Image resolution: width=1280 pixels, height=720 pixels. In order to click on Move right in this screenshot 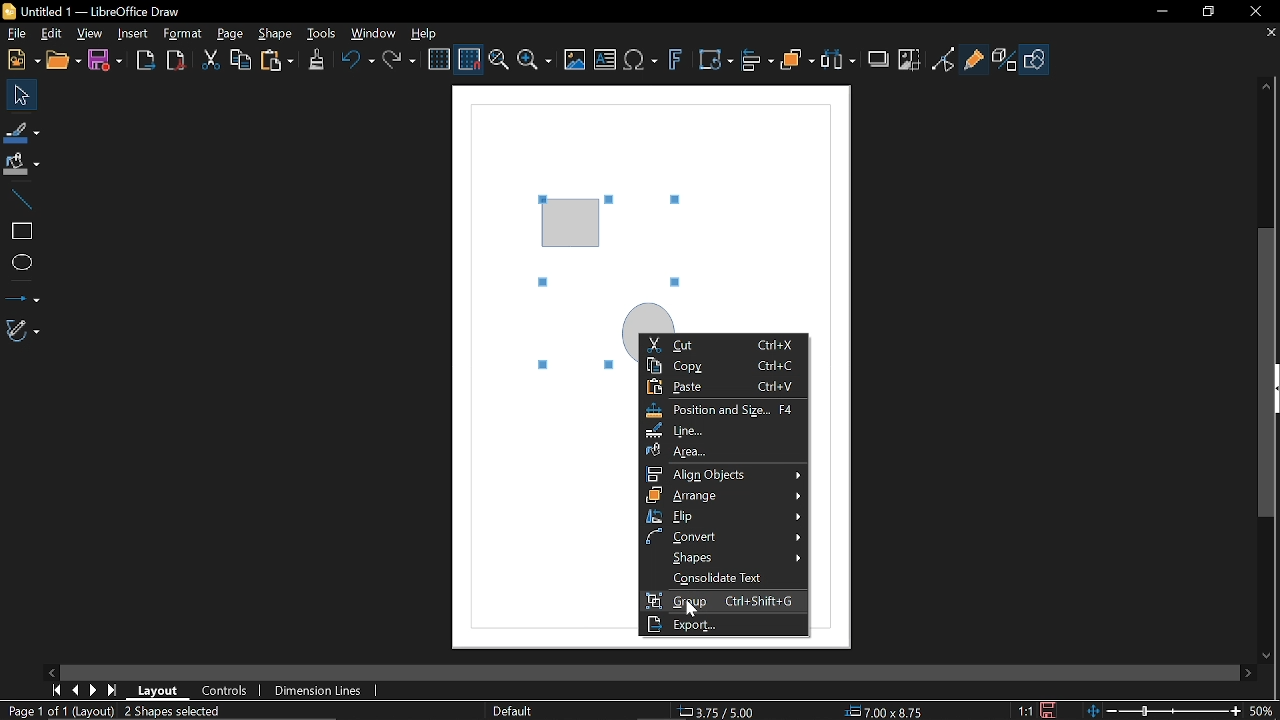, I will do `click(1250, 674)`.